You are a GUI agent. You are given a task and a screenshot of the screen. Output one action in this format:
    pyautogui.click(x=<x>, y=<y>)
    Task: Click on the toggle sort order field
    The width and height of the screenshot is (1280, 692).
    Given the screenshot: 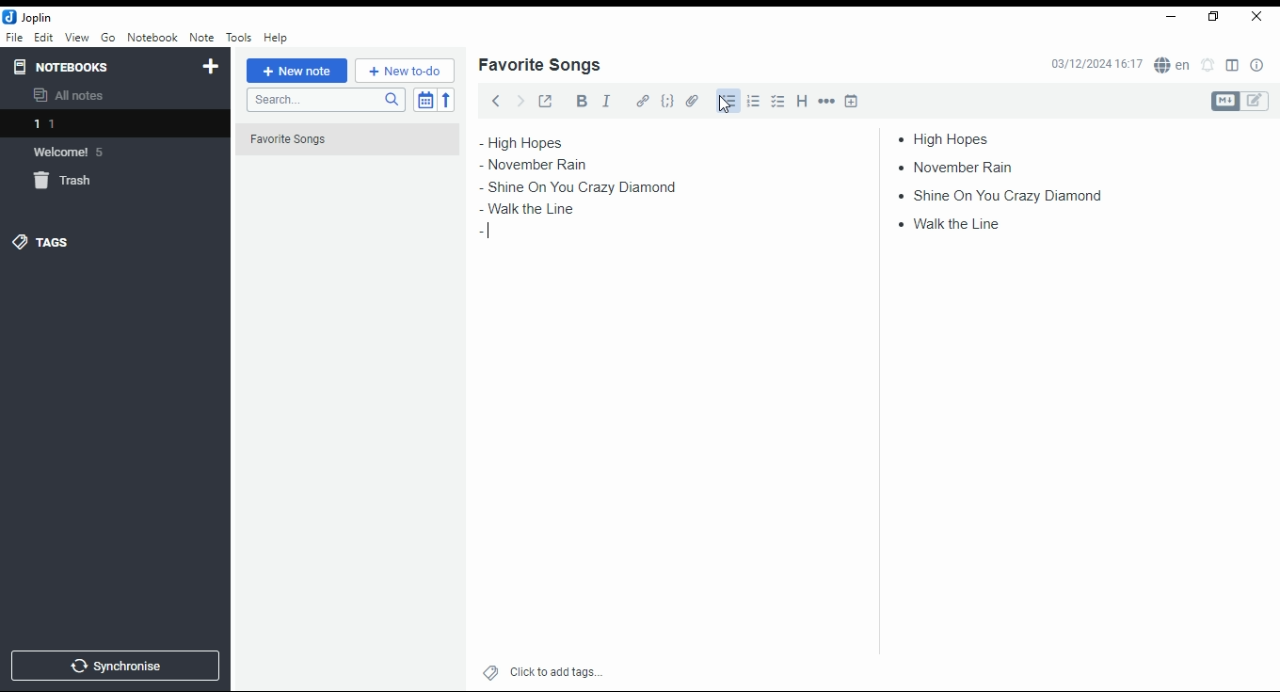 What is the action you would take?
    pyautogui.click(x=425, y=100)
    